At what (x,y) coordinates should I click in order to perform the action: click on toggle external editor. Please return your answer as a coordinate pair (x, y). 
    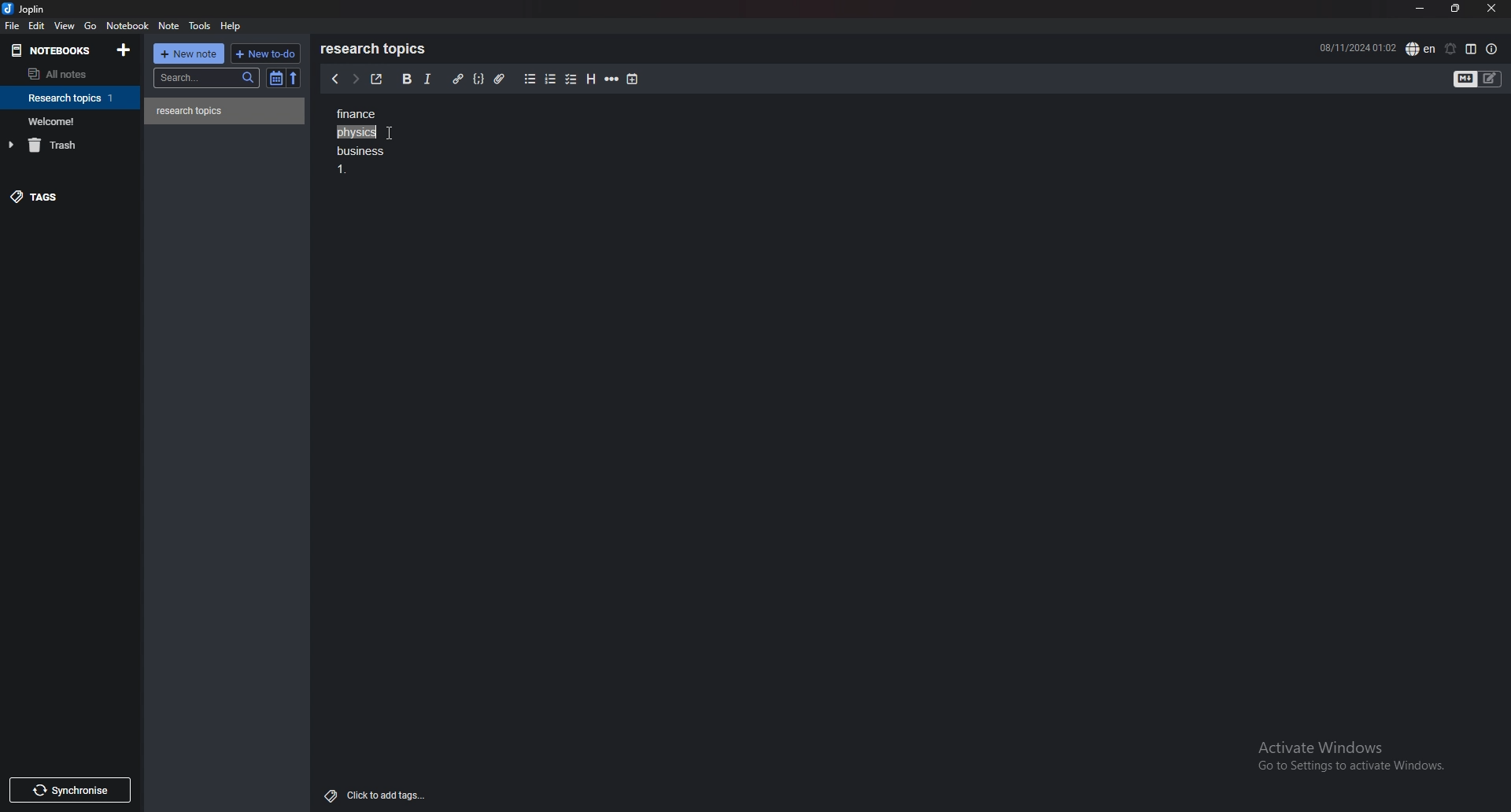
    Looking at the image, I should click on (375, 79).